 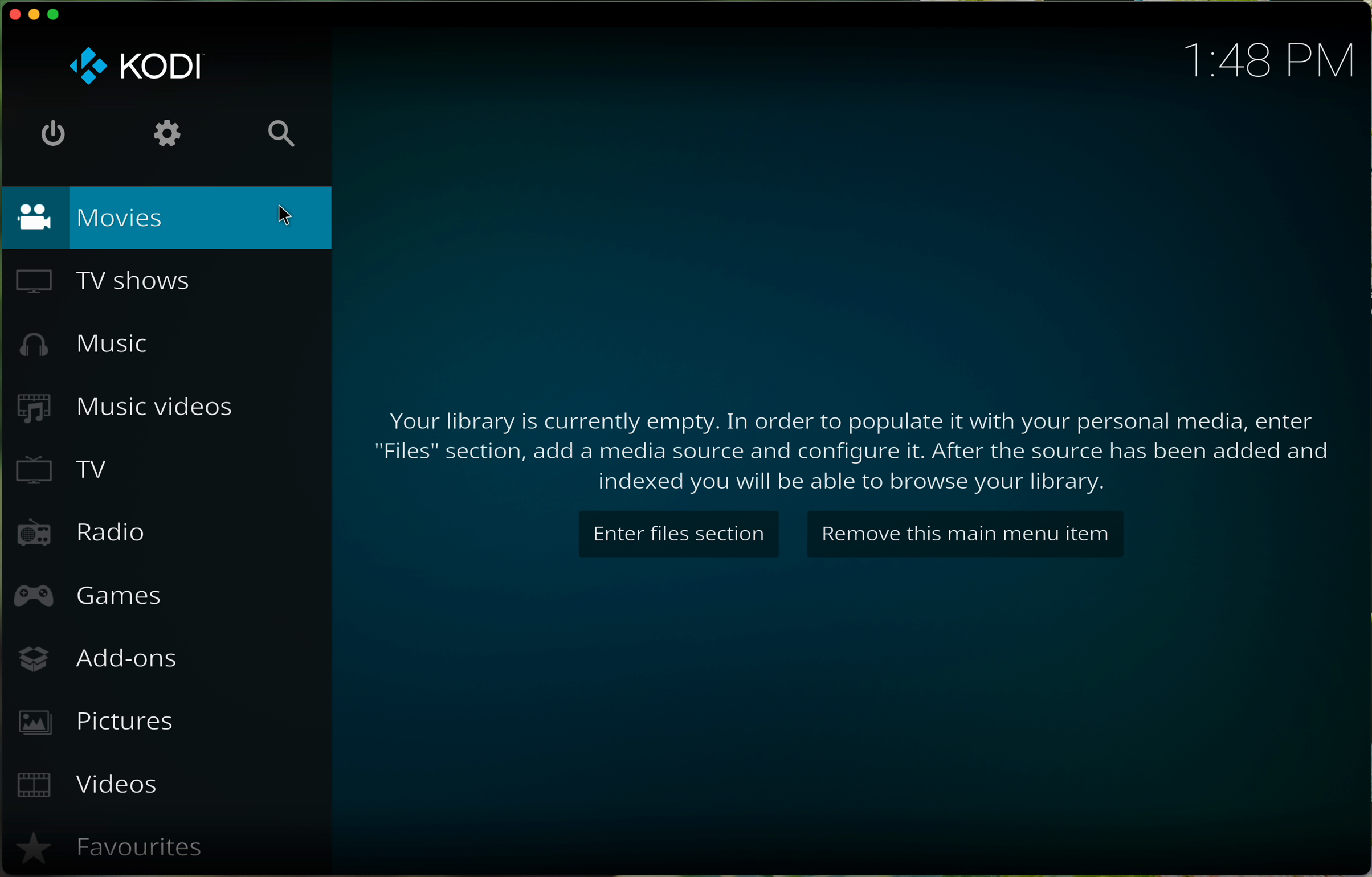 I want to click on close, so click(x=12, y=14).